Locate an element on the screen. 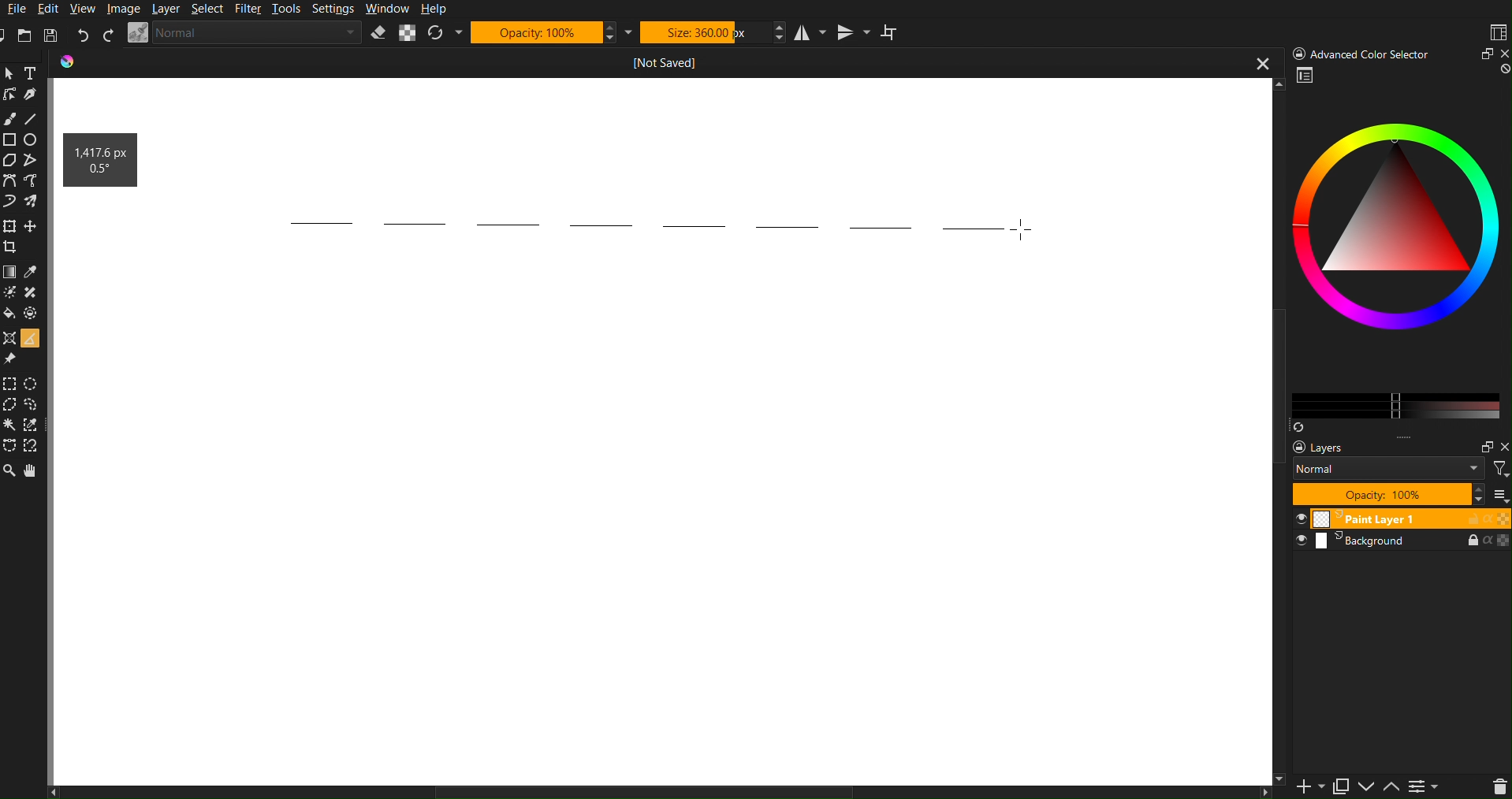 The width and height of the screenshot is (1512, 799). Angle is located at coordinates (95, 169).